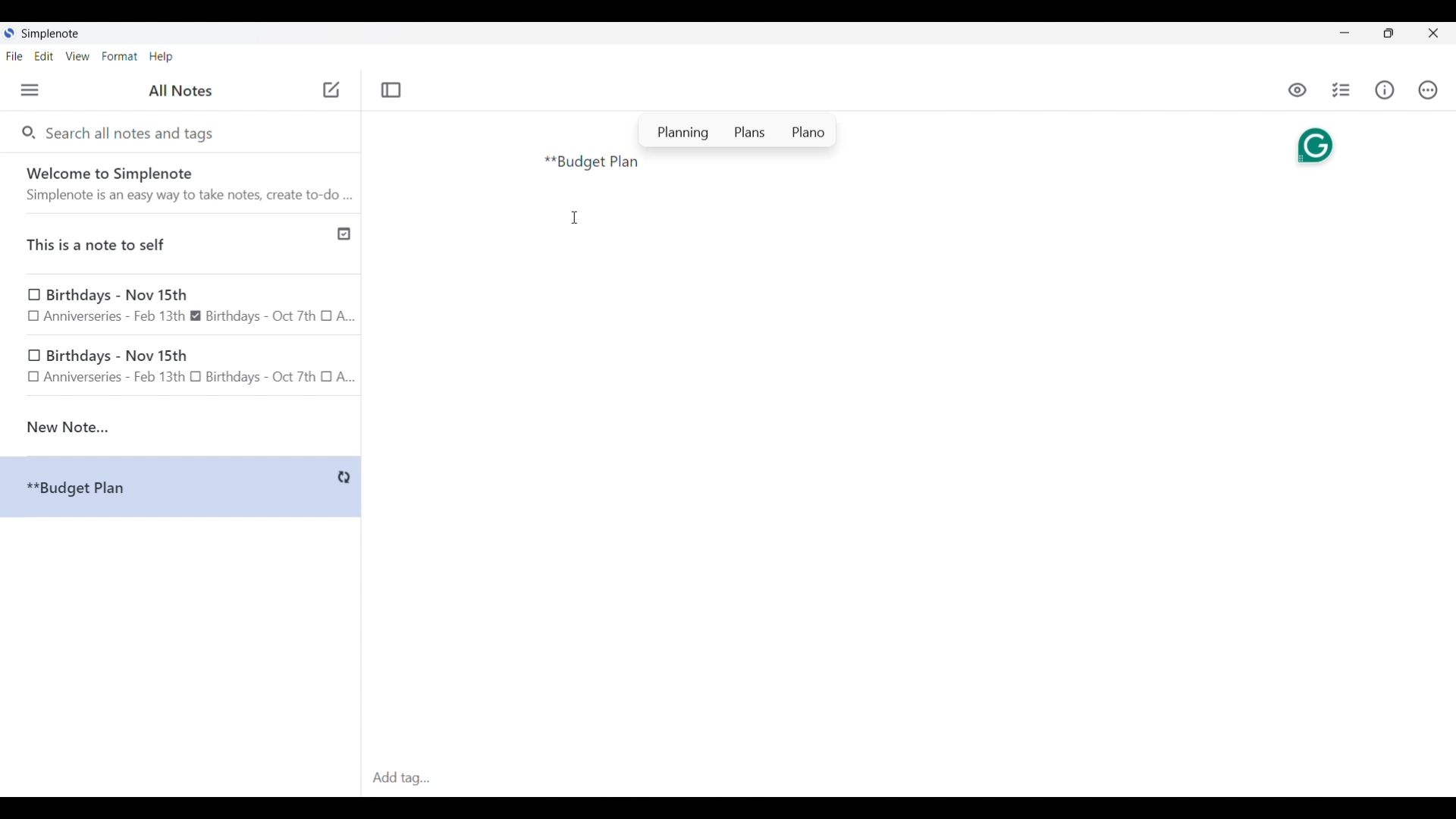 The image size is (1456, 819). Describe the element at coordinates (180, 91) in the screenshot. I see `Title of left side panel` at that location.